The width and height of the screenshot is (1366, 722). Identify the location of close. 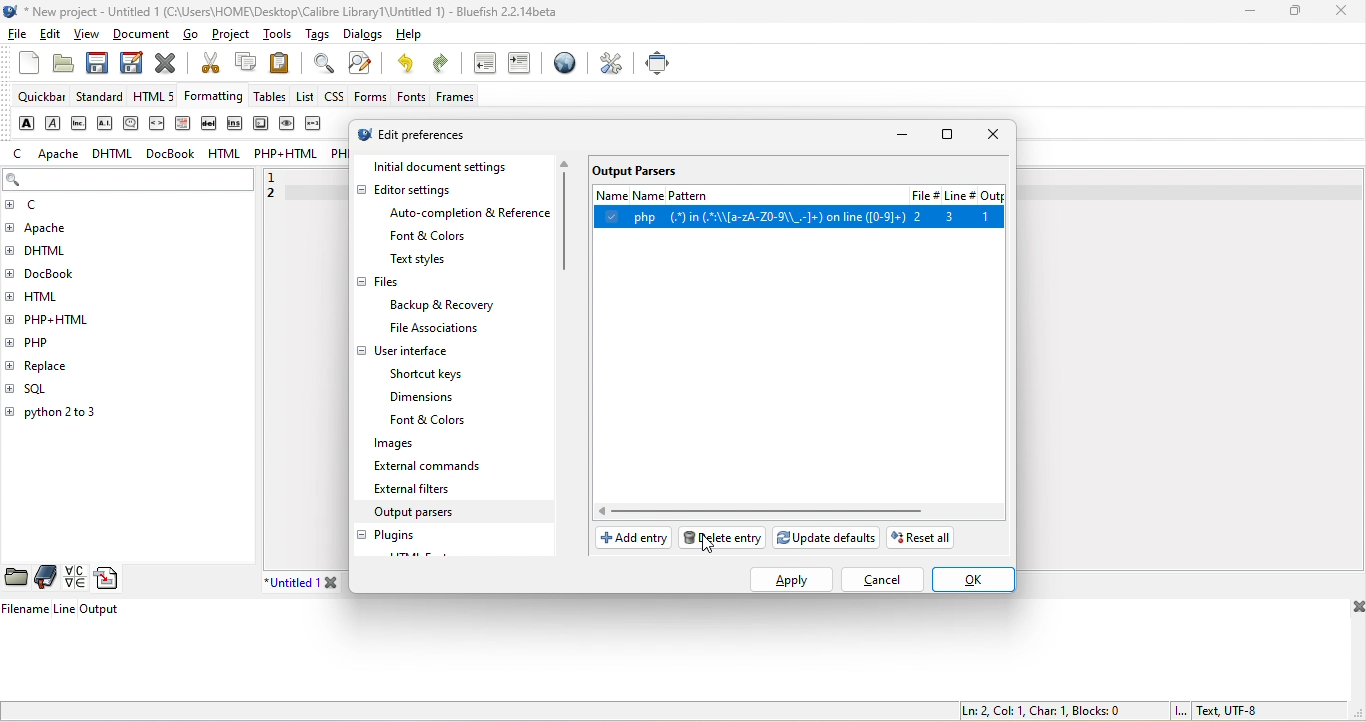
(166, 62).